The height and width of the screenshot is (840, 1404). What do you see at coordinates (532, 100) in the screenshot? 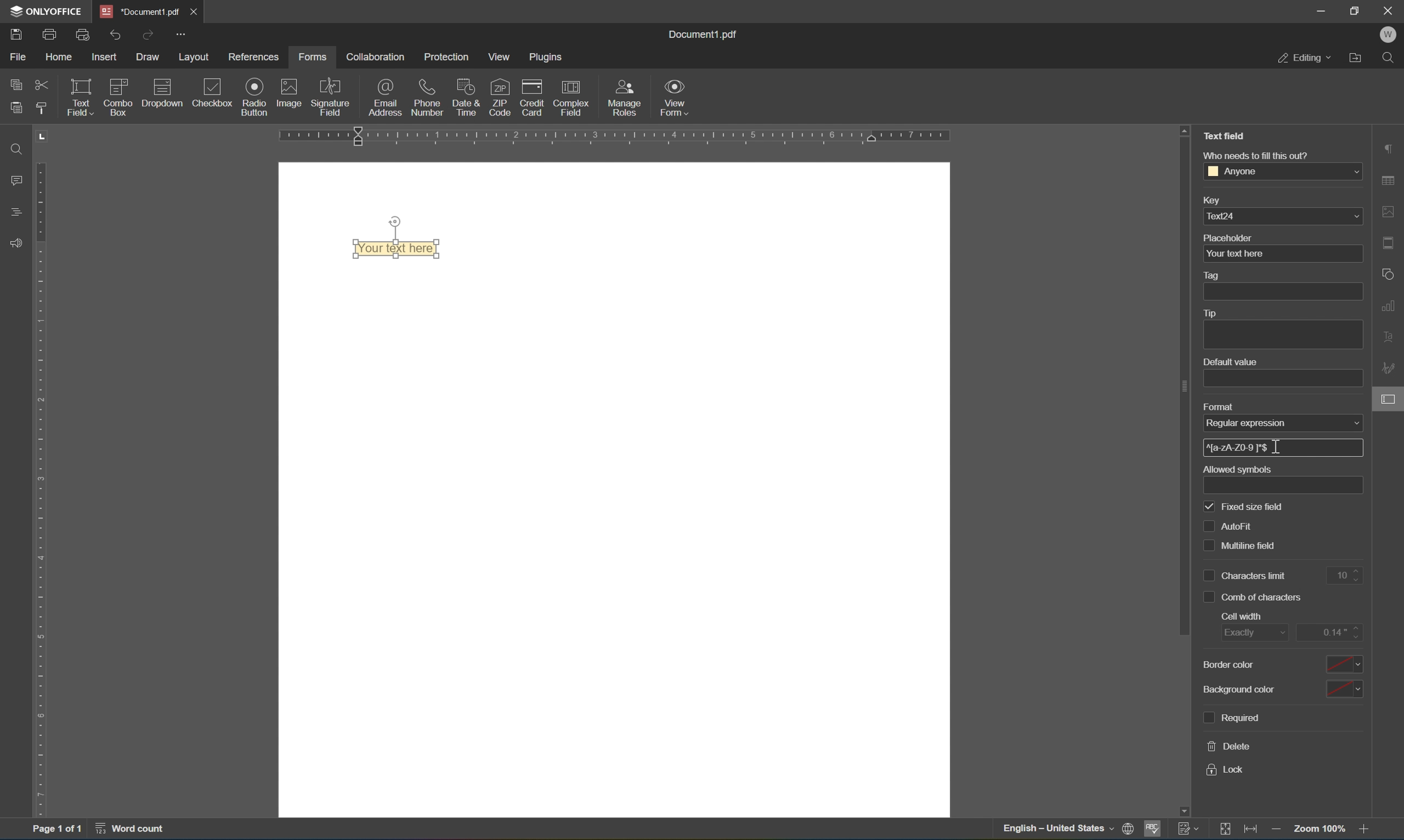
I see `credit card` at bounding box center [532, 100].